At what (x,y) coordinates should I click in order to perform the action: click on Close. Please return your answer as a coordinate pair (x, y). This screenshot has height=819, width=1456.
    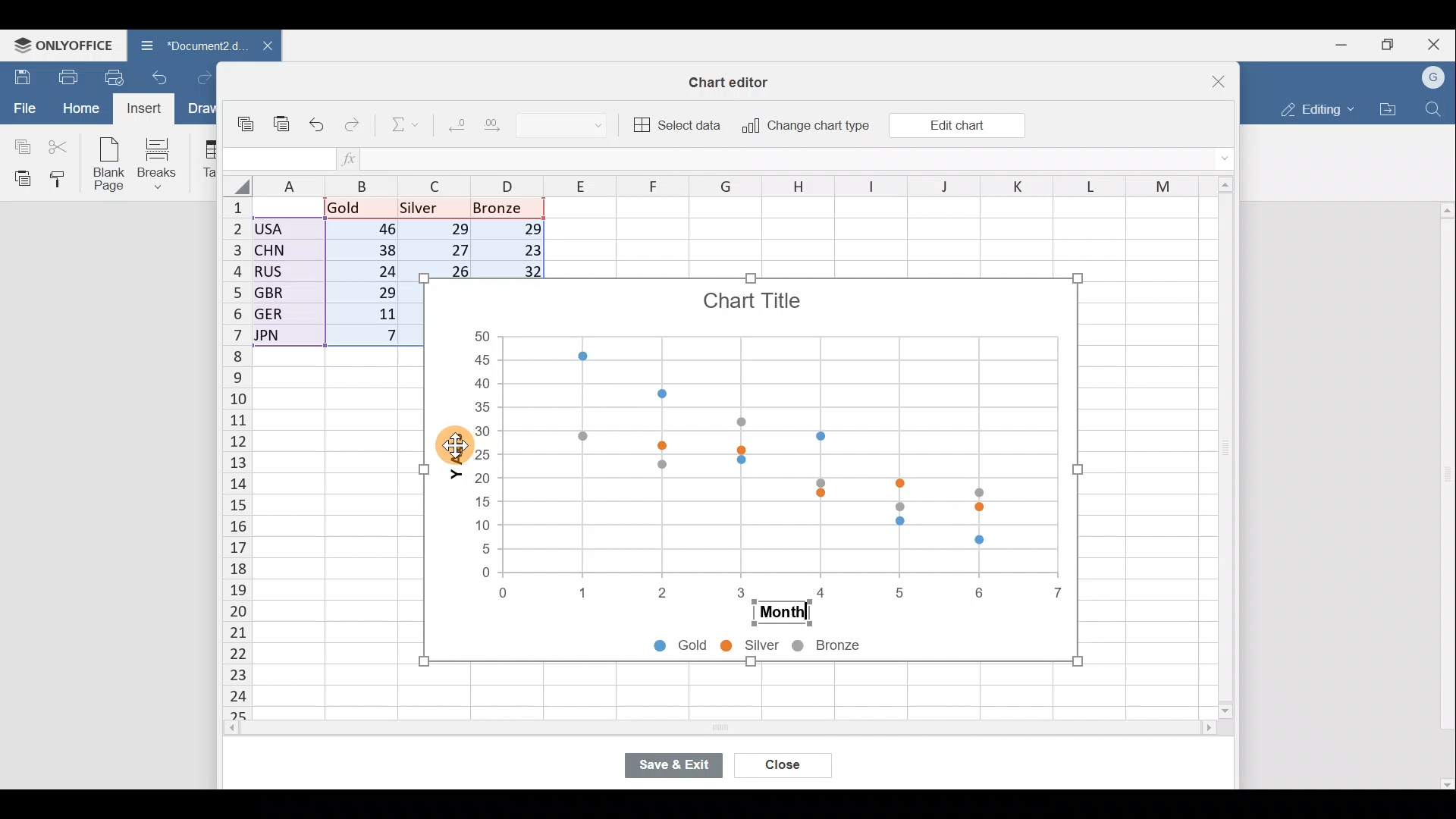
    Looking at the image, I should click on (1209, 76).